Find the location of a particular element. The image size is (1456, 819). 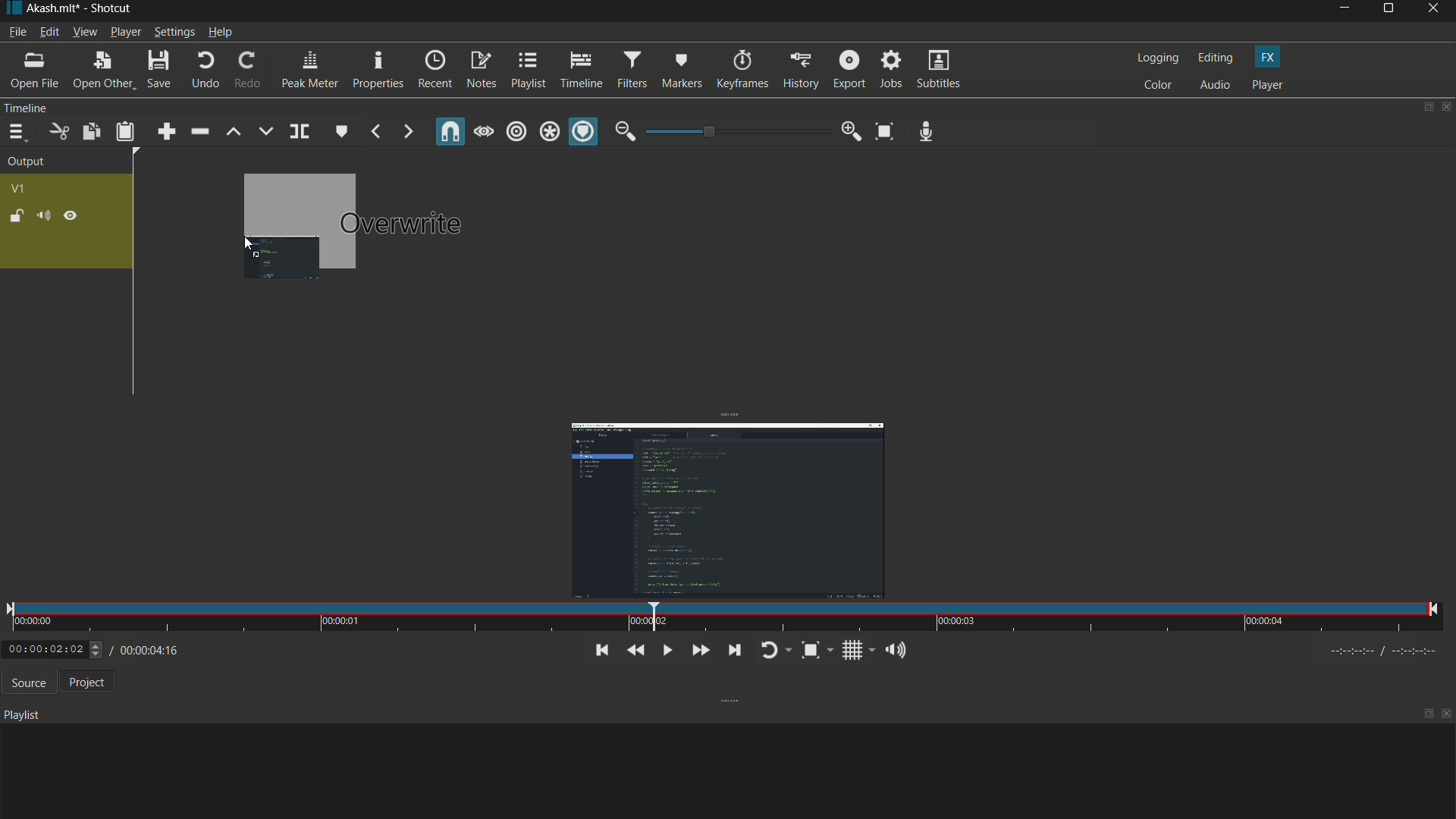

maximize is located at coordinates (1428, 714).